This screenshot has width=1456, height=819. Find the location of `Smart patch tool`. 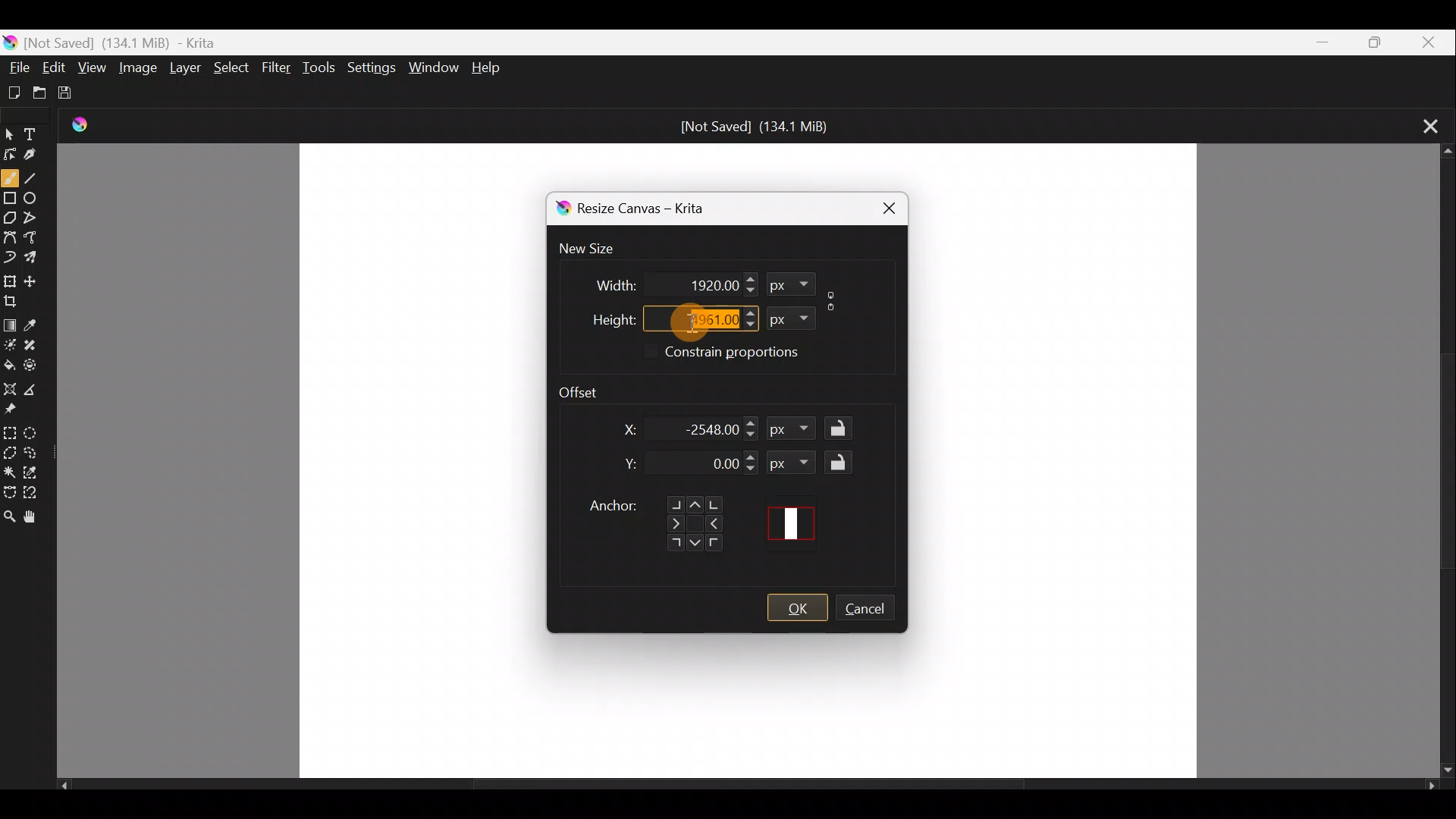

Smart patch tool is located at coordinates (36, 343).